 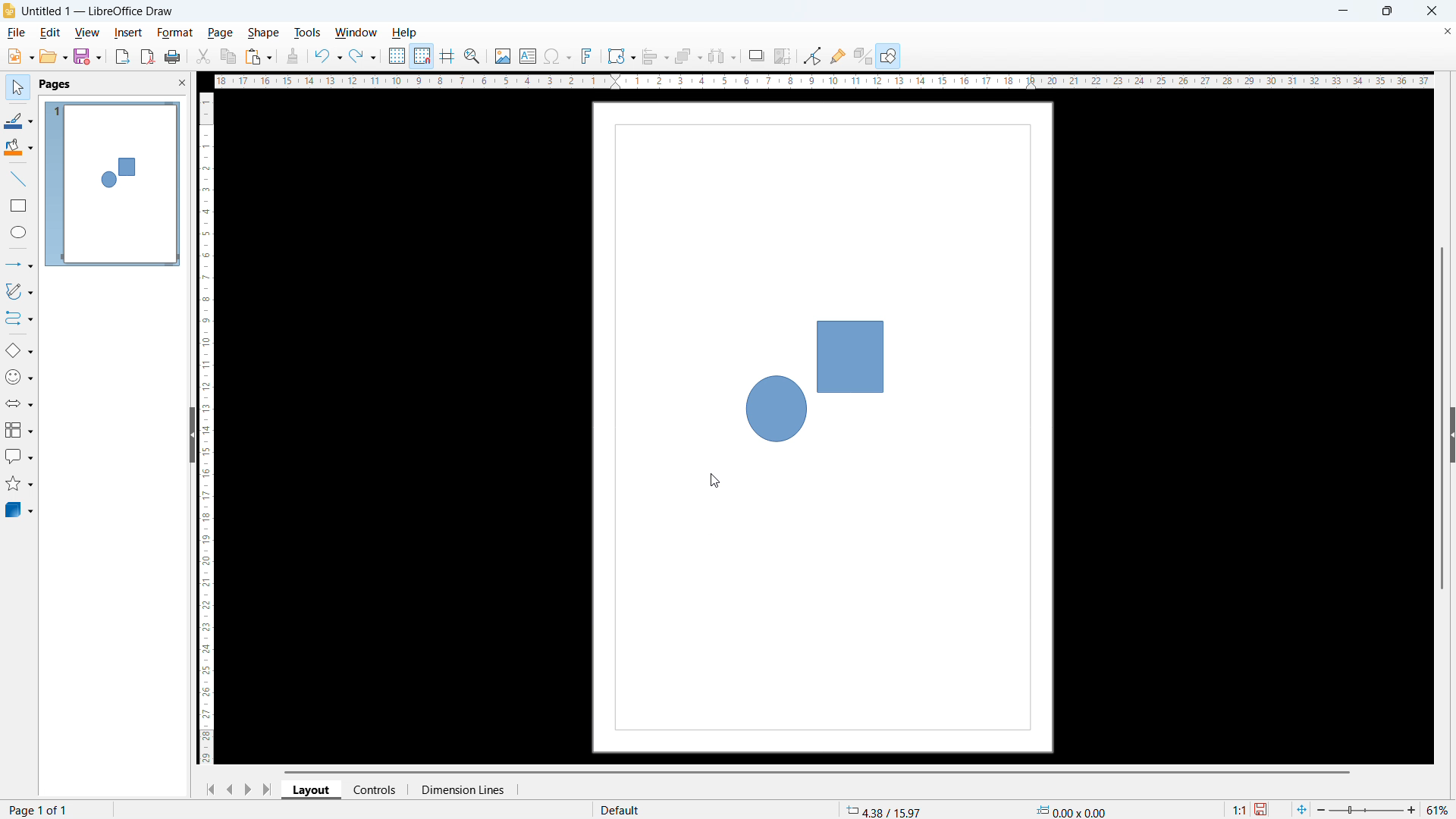 I want to click on horizontal scrollbar, so click(x=813, y=772).